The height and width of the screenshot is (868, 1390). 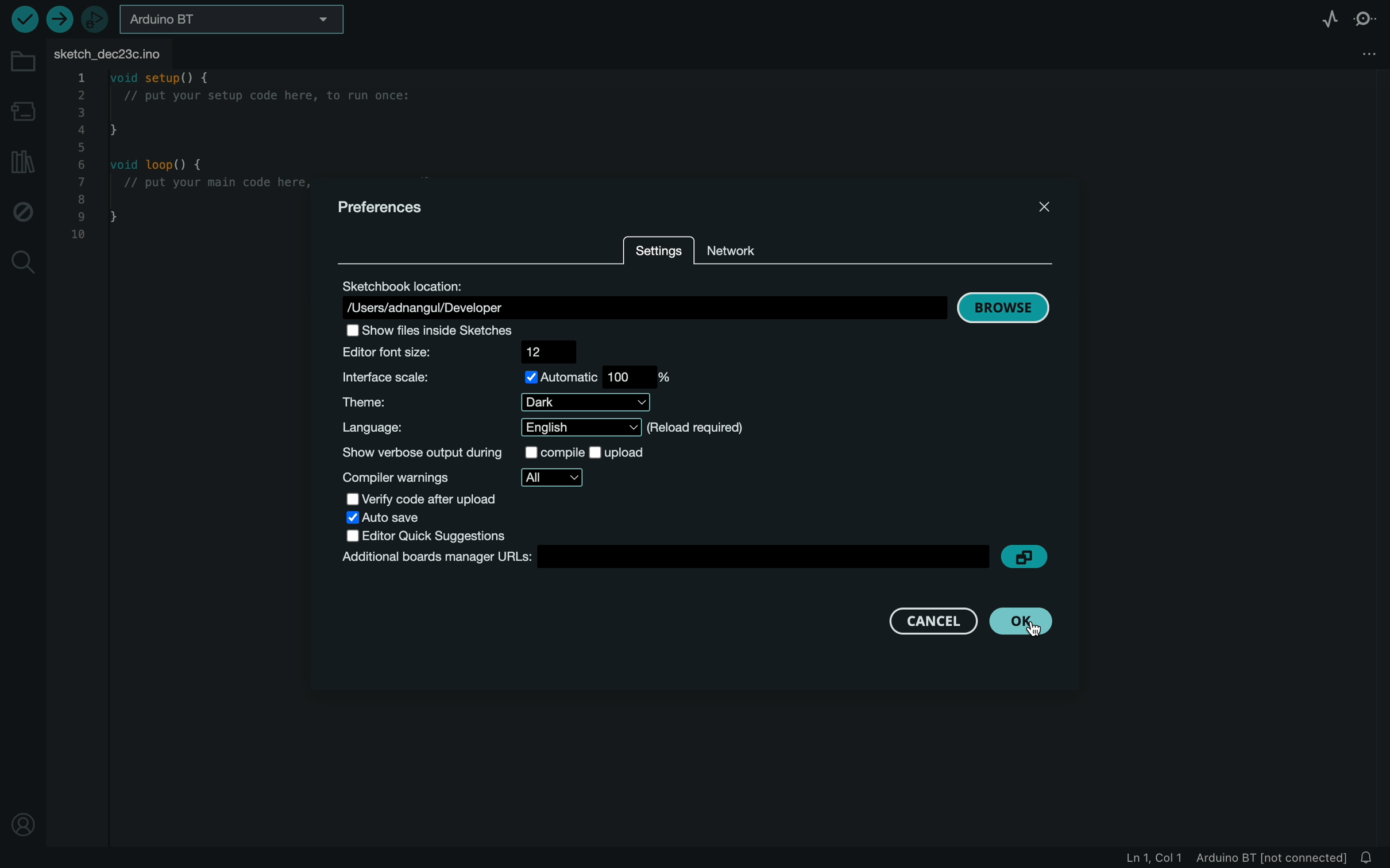 What do you see at coordinates (642, 296) in the screenshot?
I see `location` at bounding box center [642, 296].